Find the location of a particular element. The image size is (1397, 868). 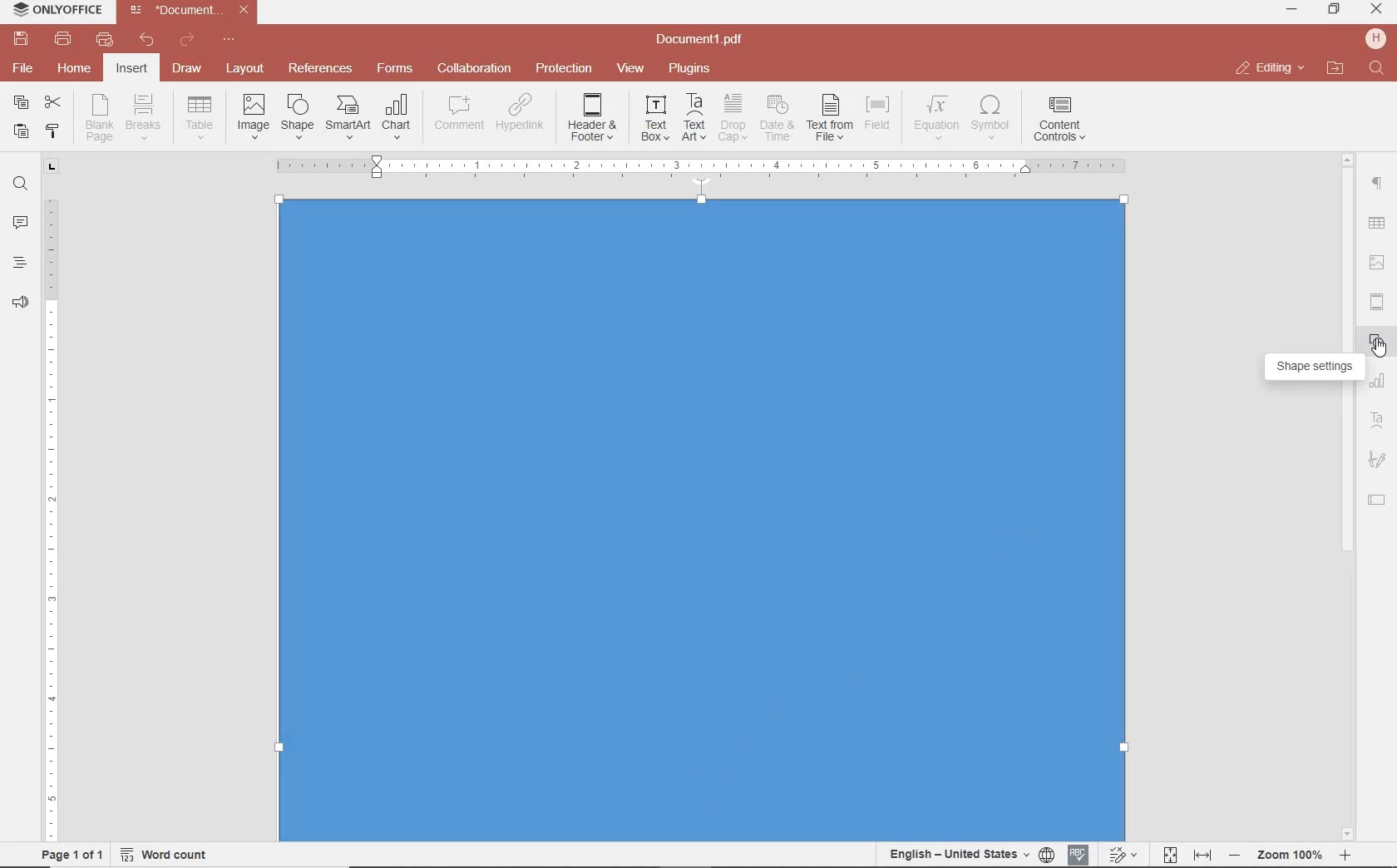

redo is located at coordinates (185, 42).